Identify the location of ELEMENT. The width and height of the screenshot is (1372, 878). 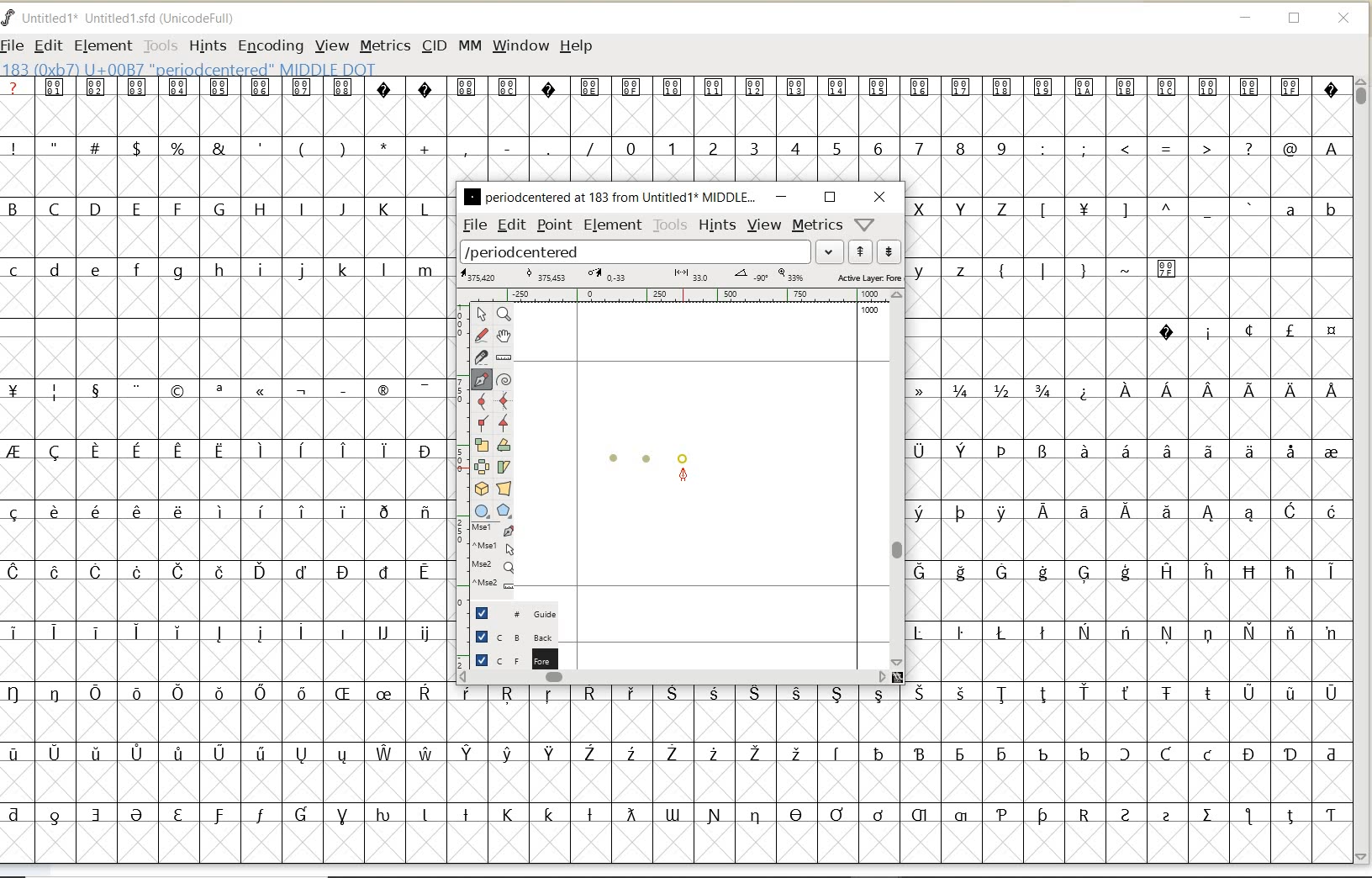
(103, 45).